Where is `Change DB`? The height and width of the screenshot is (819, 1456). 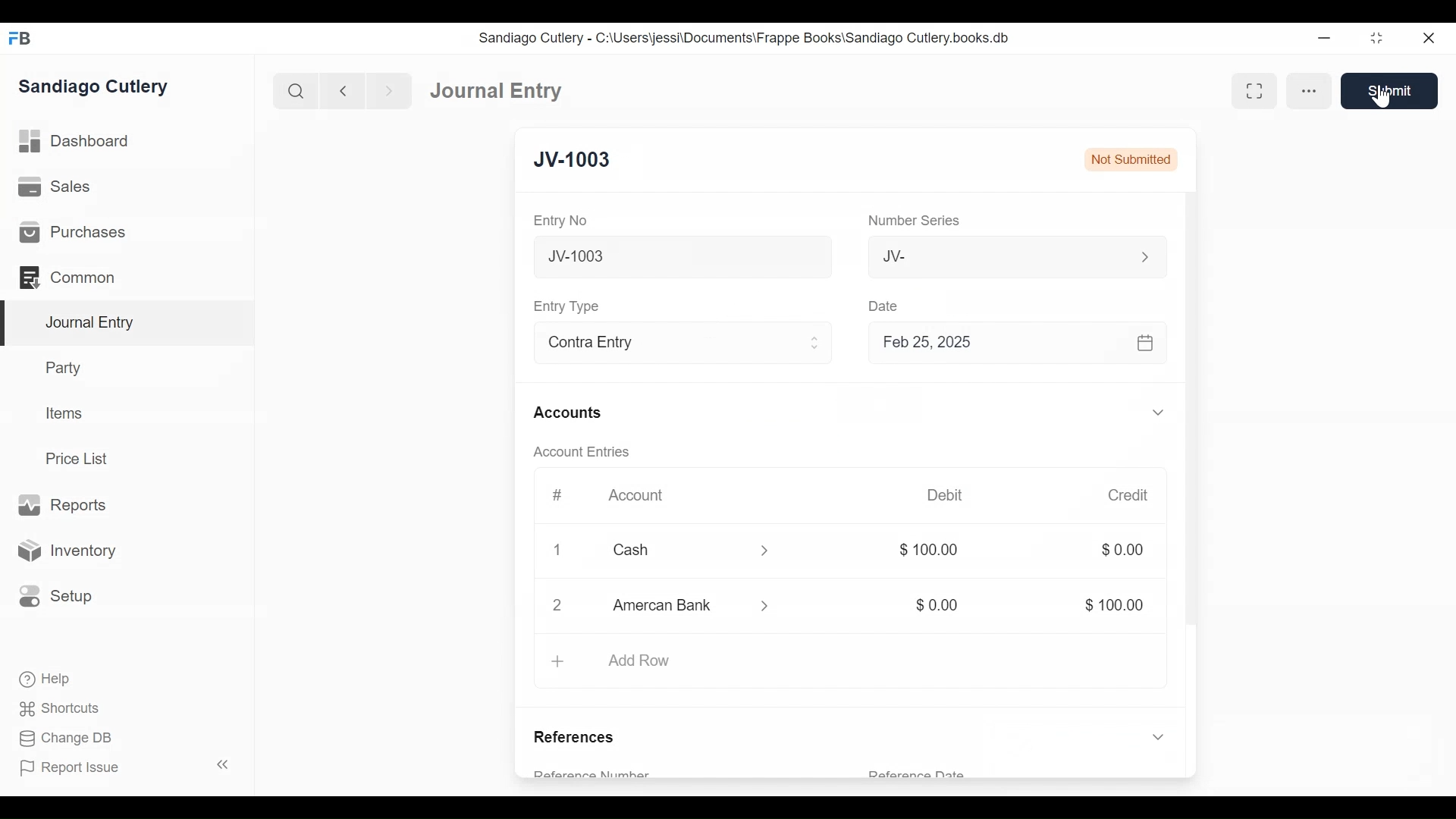 Change DB is located at coordinates (61, 738).